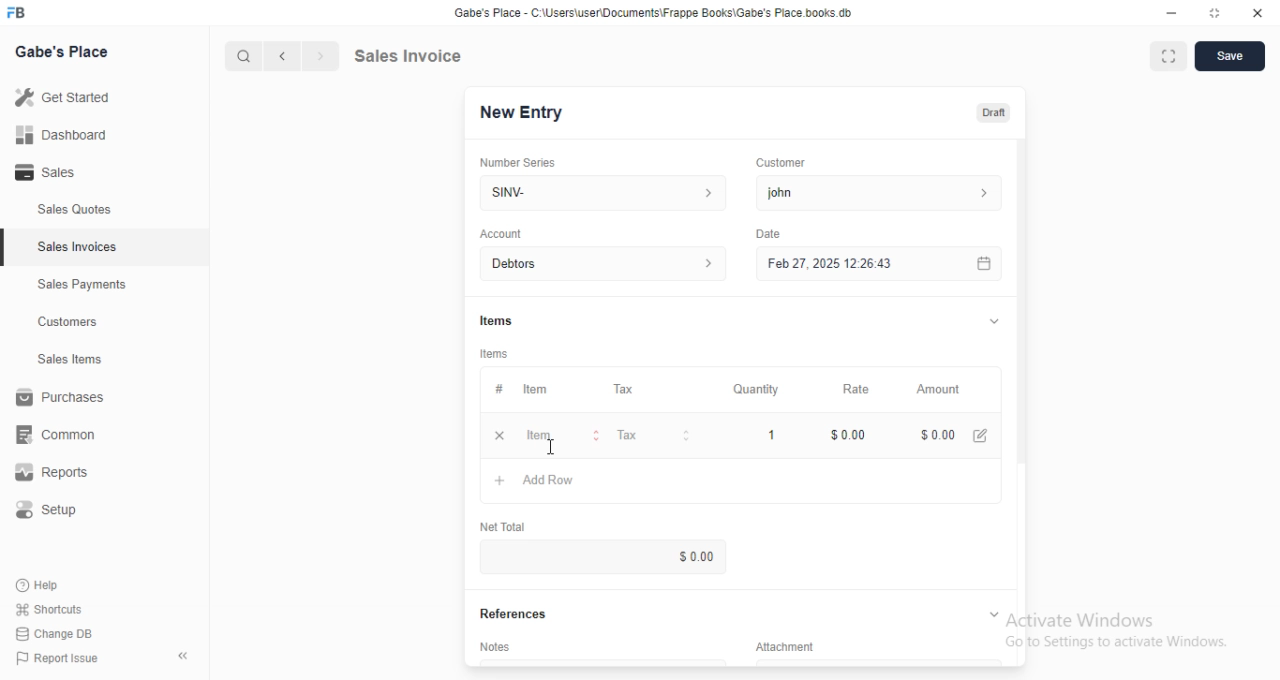  I want to click on Search, so click(242, 53).